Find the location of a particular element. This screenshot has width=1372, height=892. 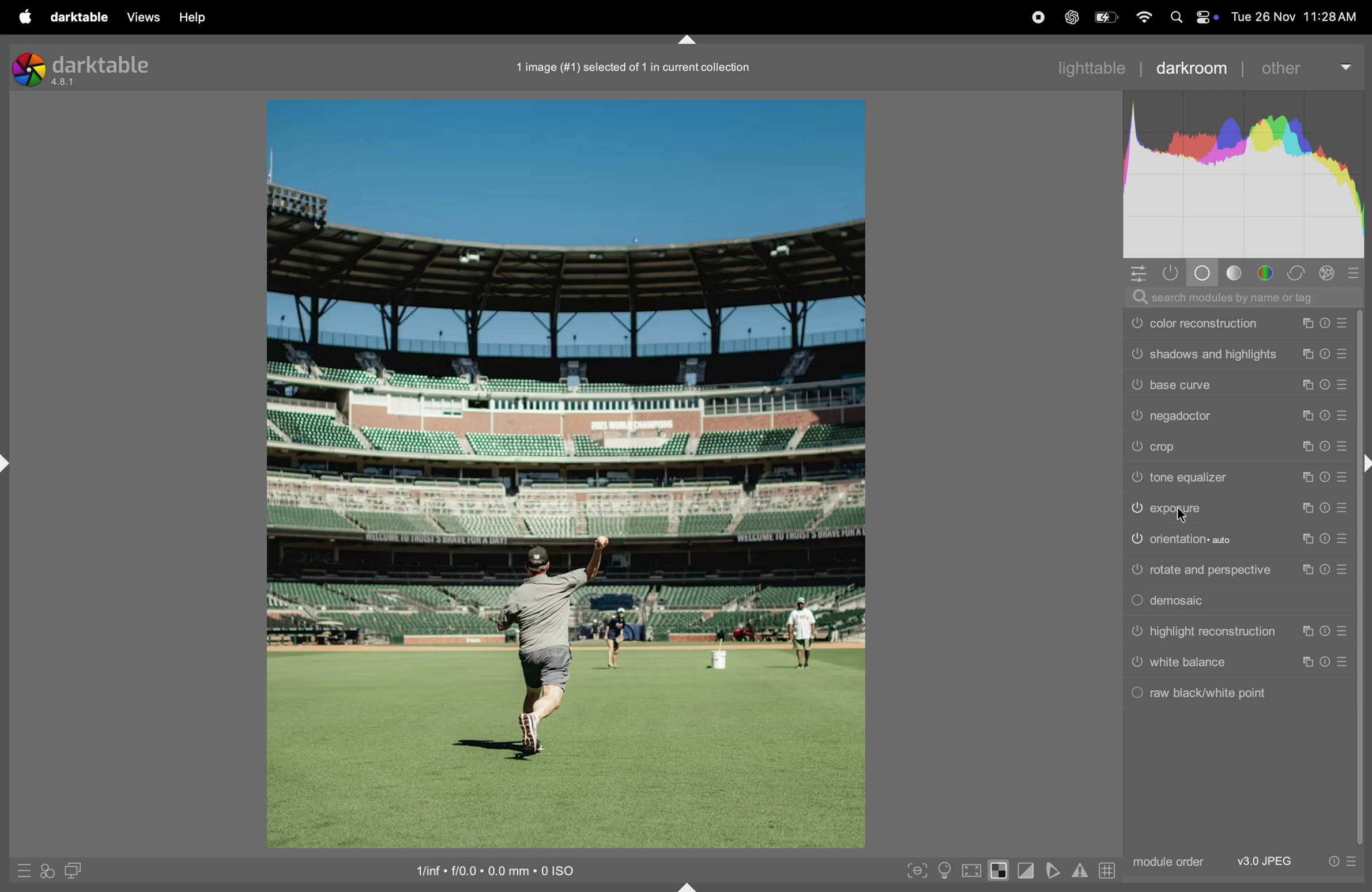

copy is located at coordinates (1306, 478).